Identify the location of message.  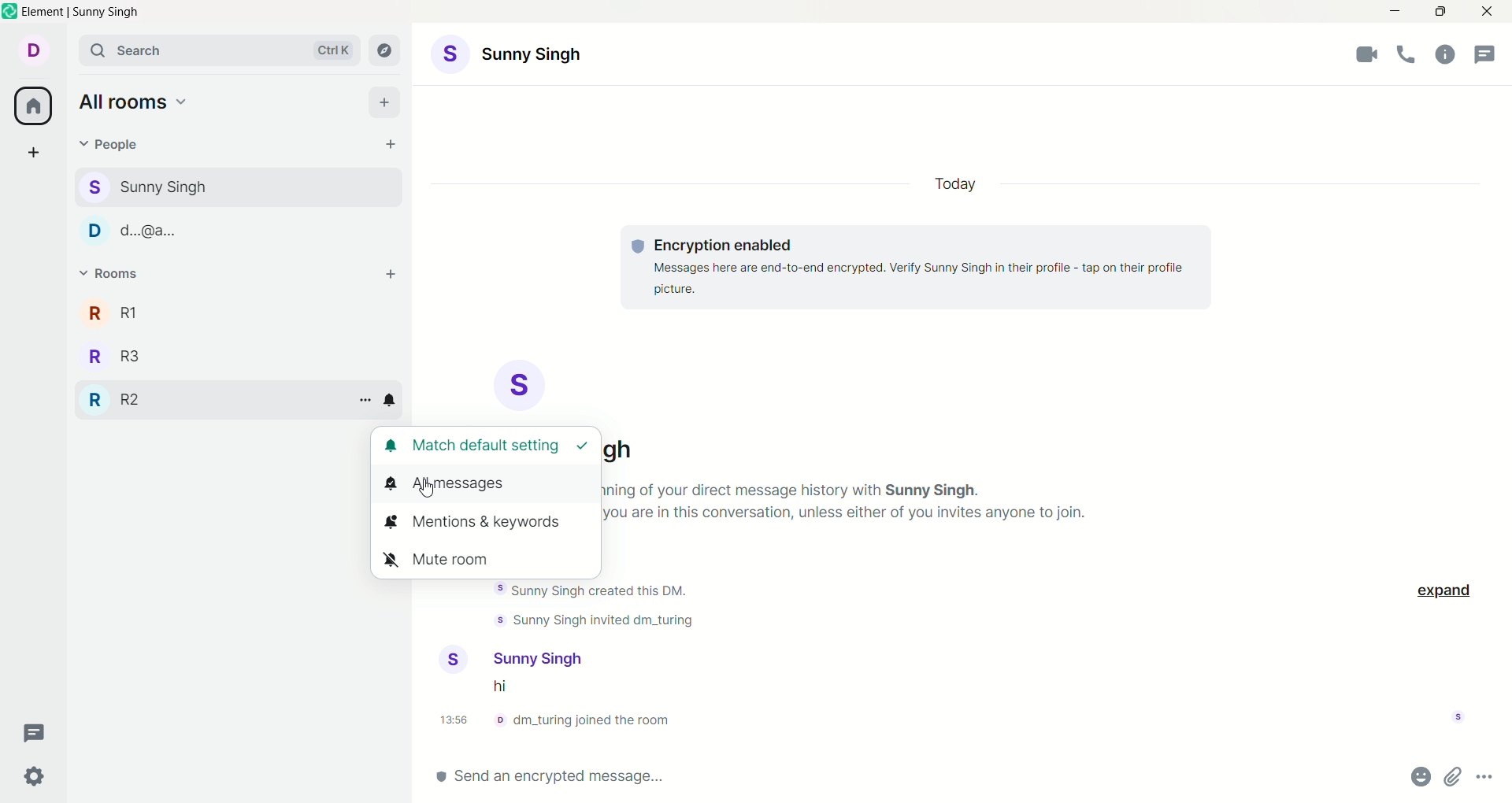
(510, 688).